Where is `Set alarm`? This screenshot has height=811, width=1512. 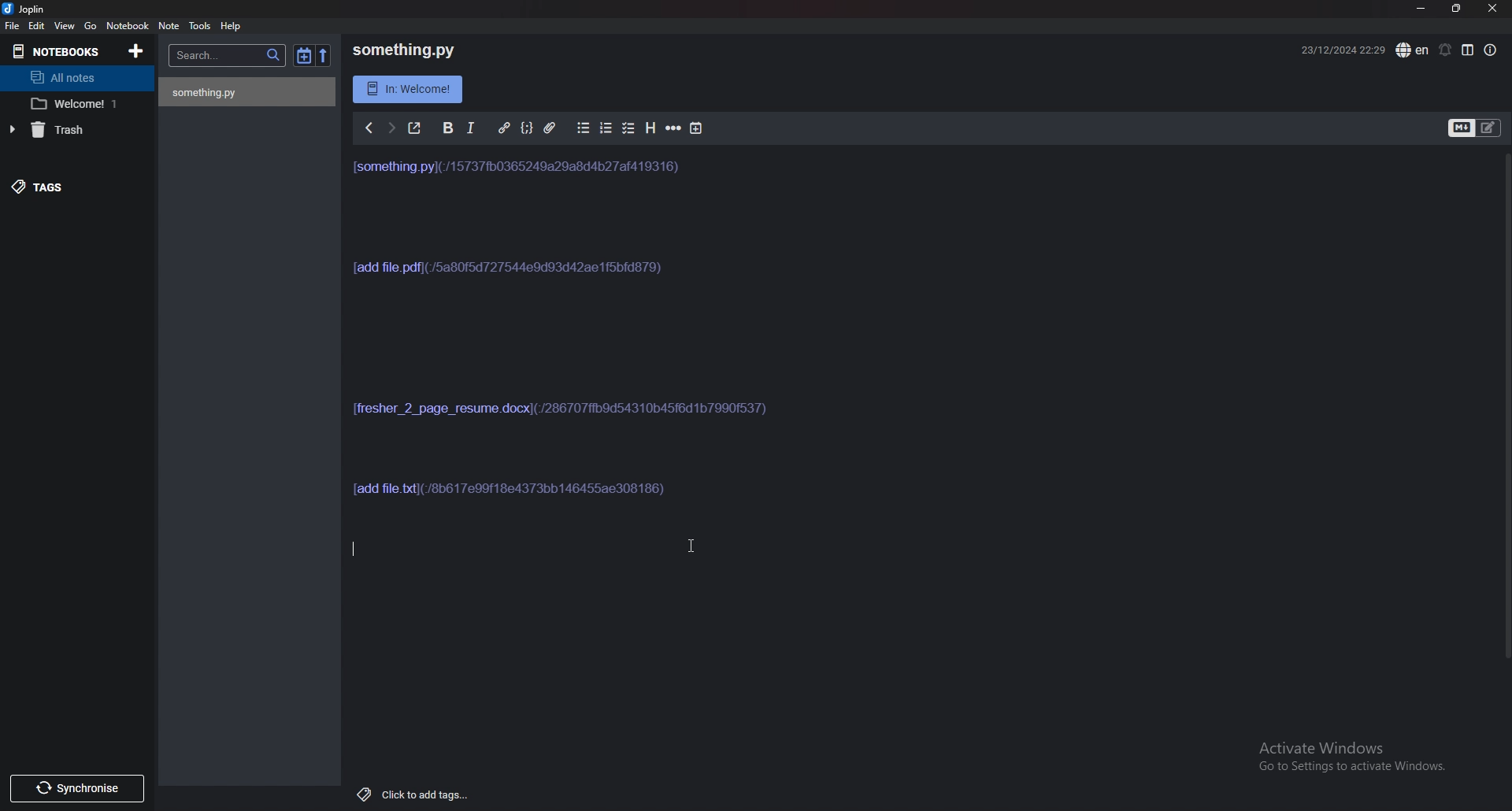
Set alarm is located at coordinates (1445, 50).